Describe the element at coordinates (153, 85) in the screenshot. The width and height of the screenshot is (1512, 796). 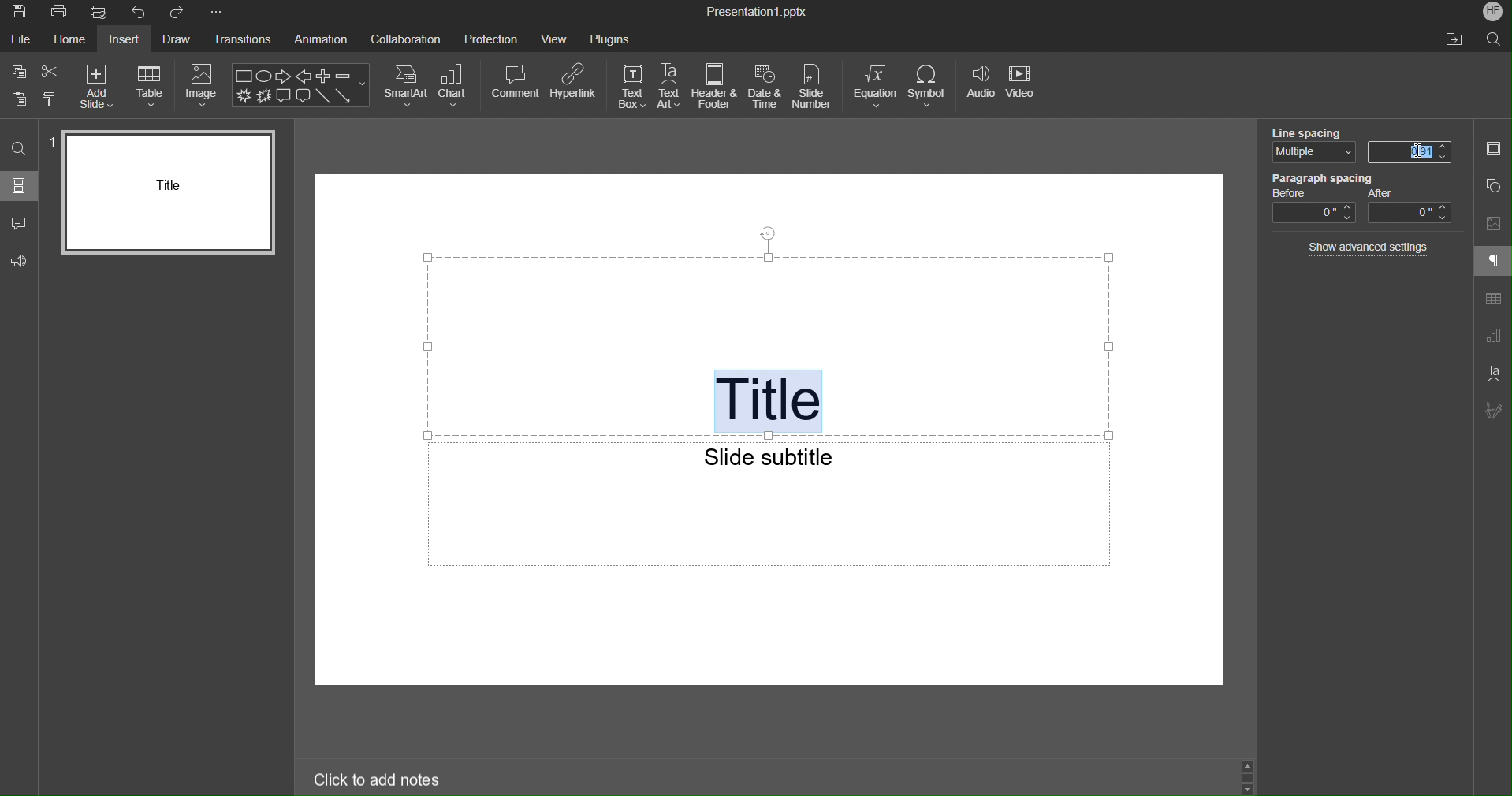
I see `Table` at that location.